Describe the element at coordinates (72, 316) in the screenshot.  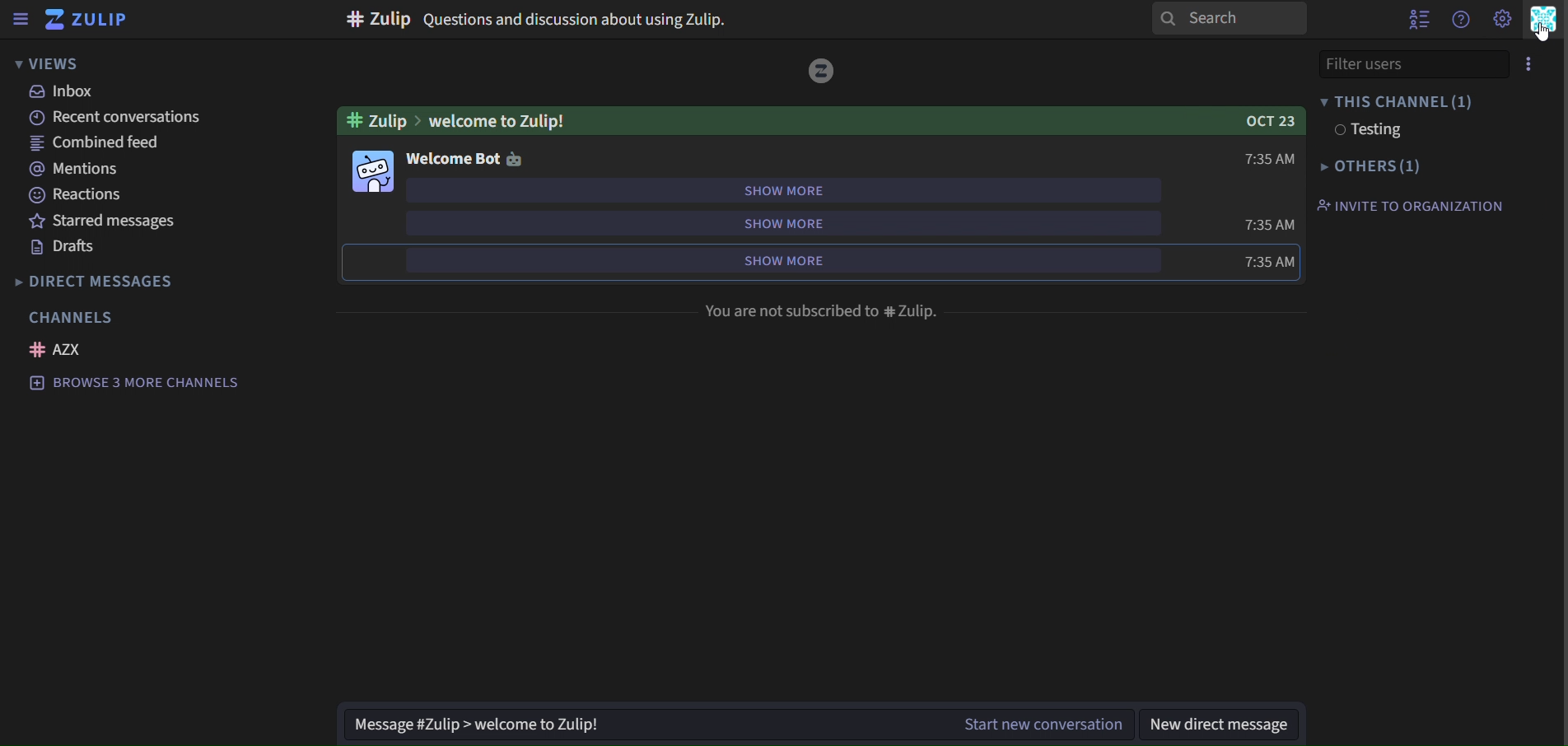
I see `channels` at that location.